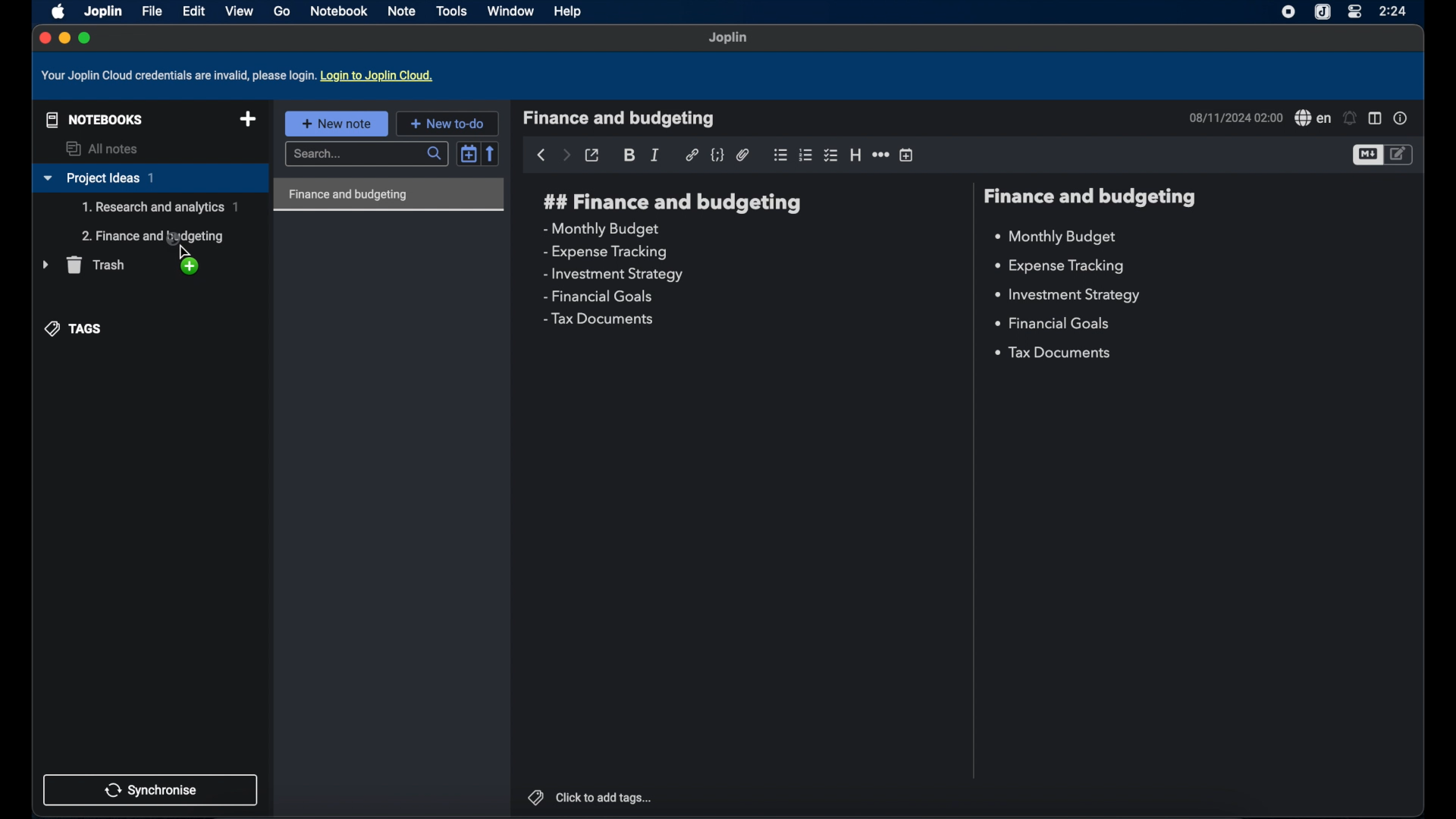  What do you see at coordinates (1323, 12) in the screenshot?
I see `joplin icon` at bounding box center [1323, 12].